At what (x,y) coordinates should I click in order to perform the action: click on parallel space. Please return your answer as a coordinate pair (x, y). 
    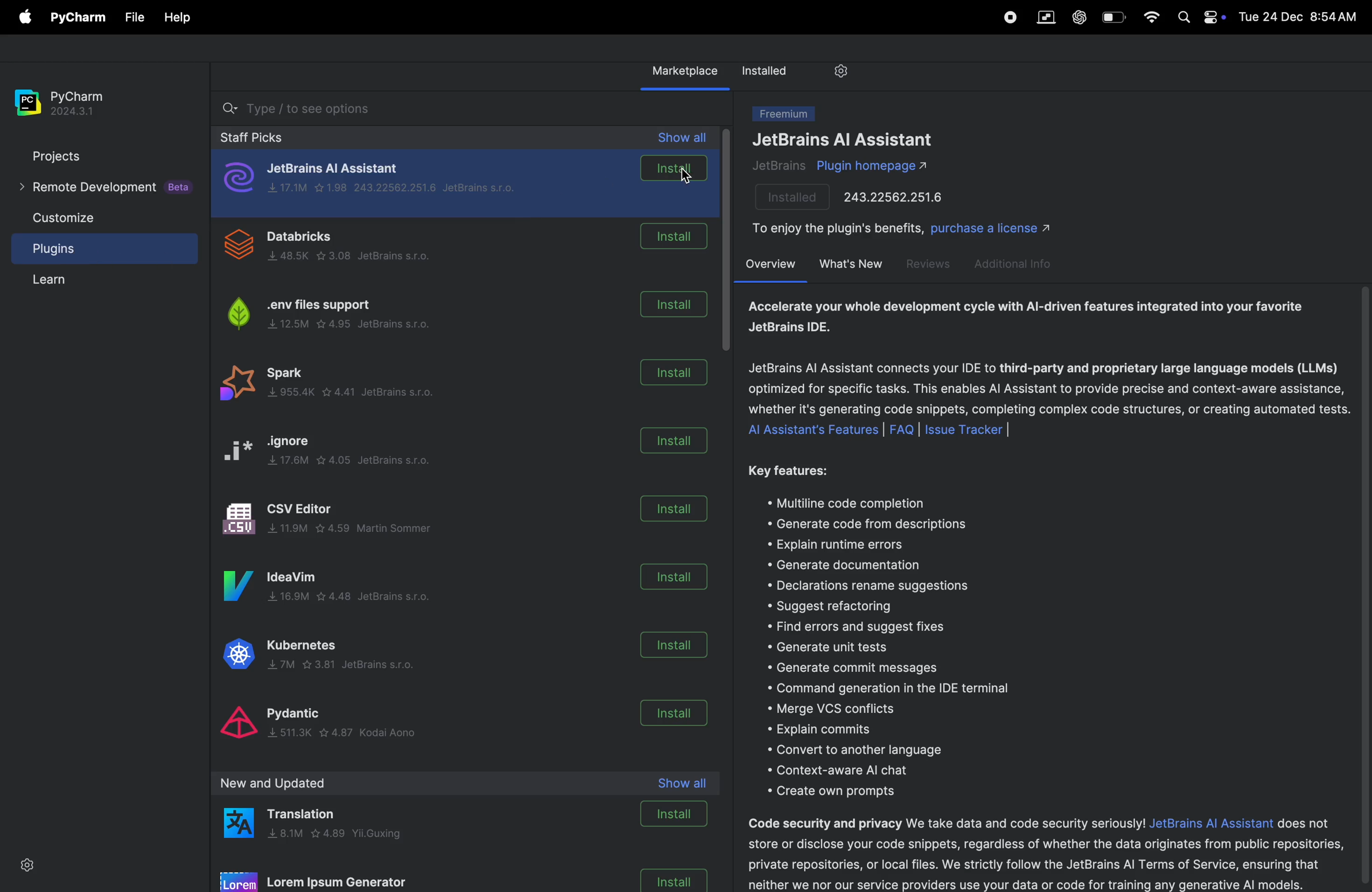
    Looking at the image, I should click on (1043, 16).